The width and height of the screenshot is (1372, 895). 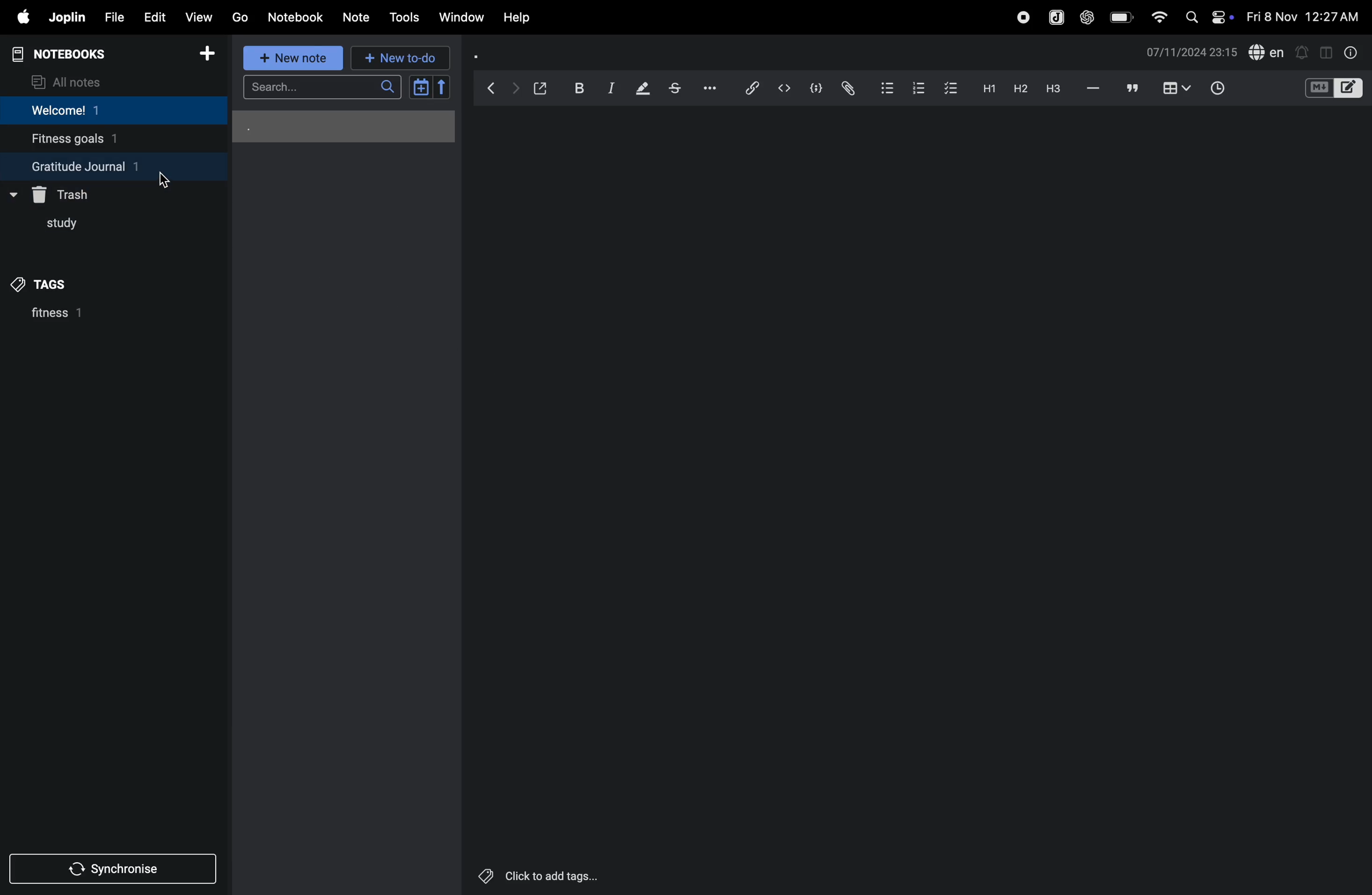 I want to click on joplin, so click(x=67, y=16).